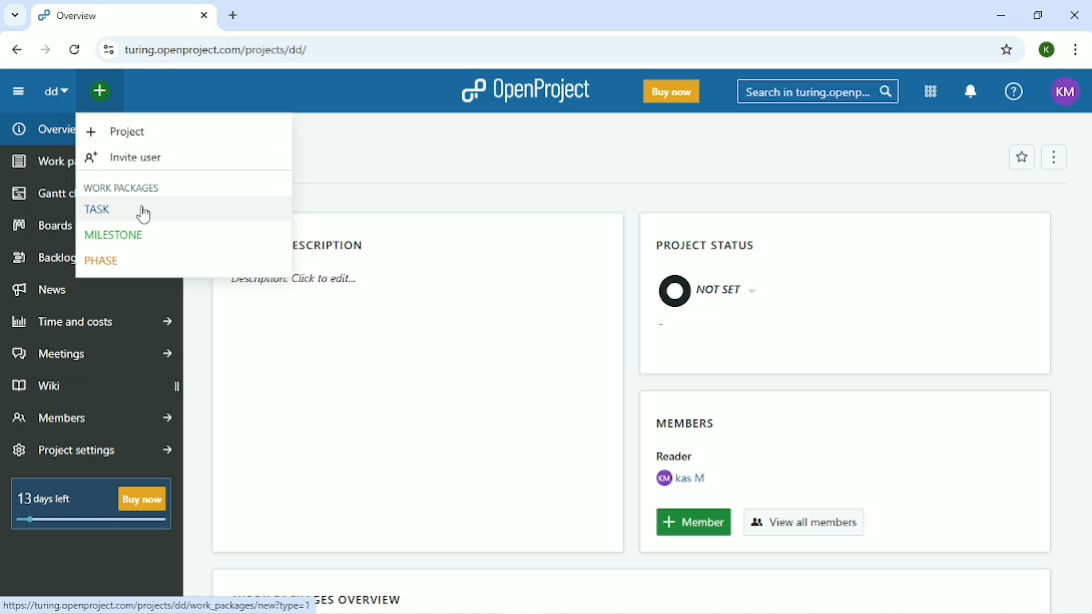 The width and height of the screenshot is (1092, 614). Describe the element at coordinates (92, 354) in the screenshot. I see `Meetings` at that location.